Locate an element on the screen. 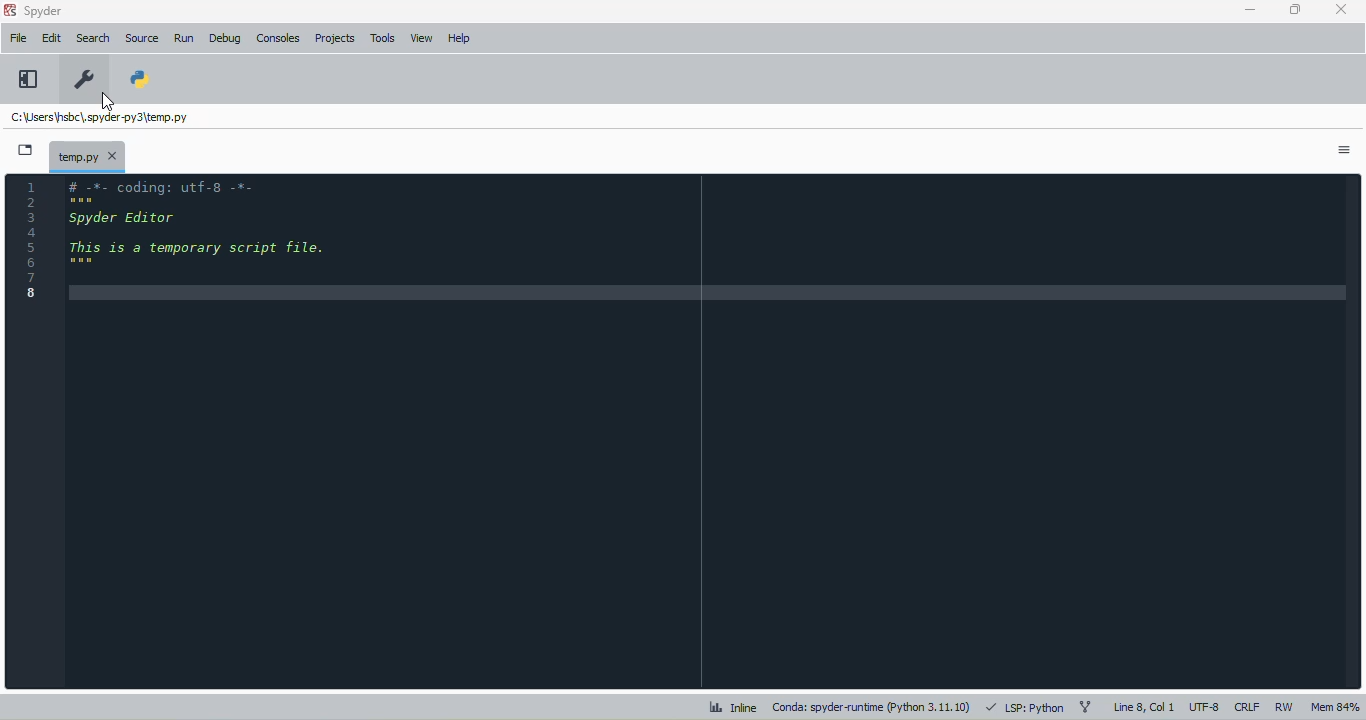  CRLF is located at coordinates (1249, 708).